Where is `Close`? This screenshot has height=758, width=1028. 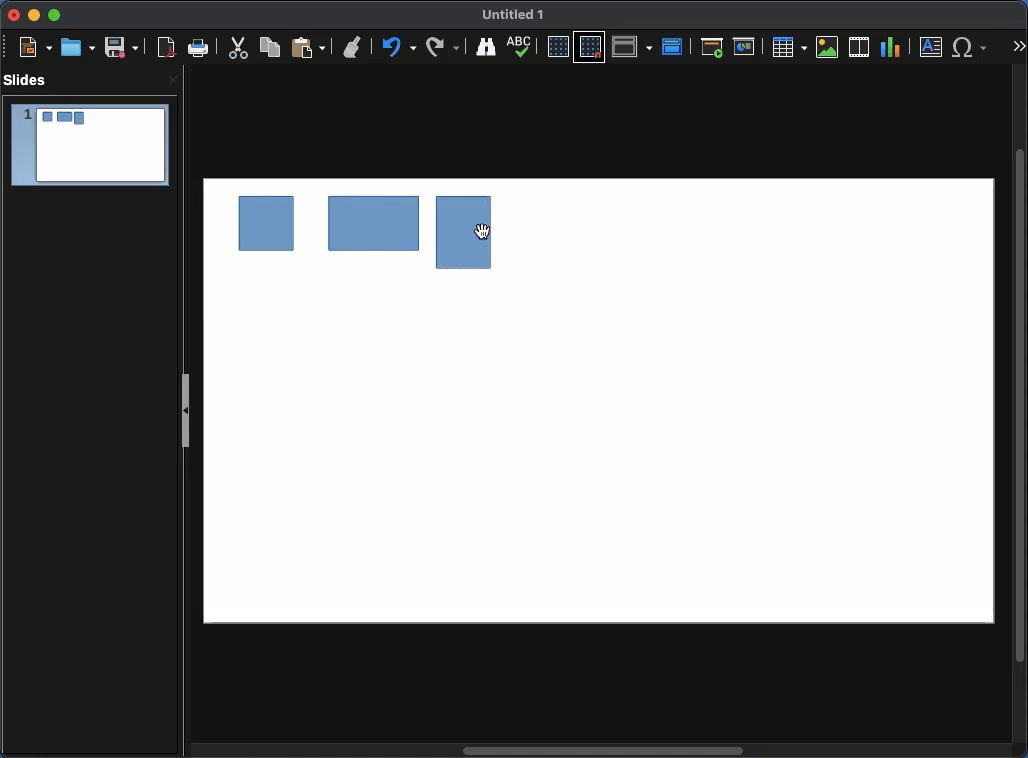
Close is located at coordinates (15, 15).